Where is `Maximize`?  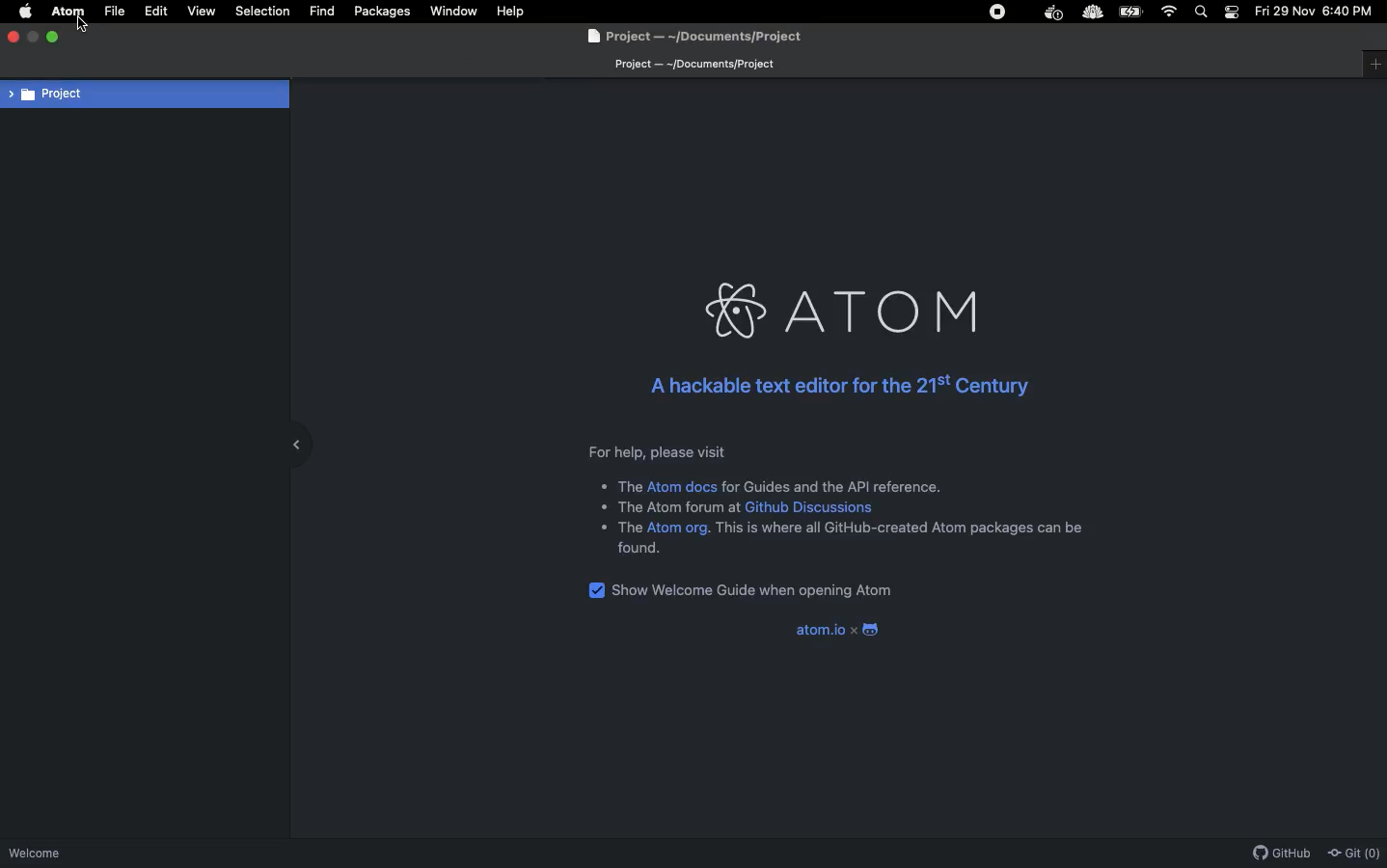 Maximize is located at coordinates (57, 40).